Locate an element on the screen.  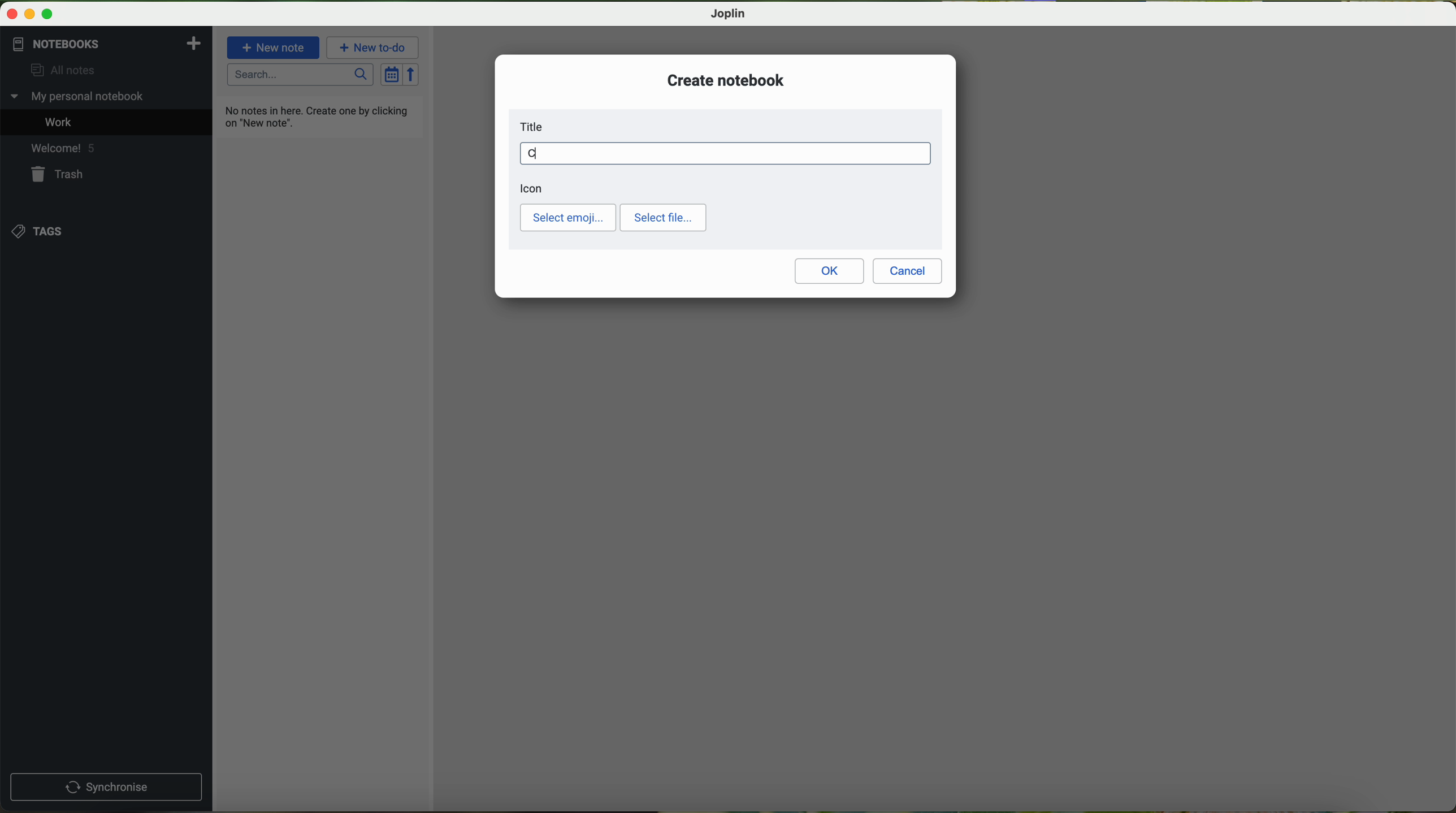
joplin is located at coordinates (729, 14).